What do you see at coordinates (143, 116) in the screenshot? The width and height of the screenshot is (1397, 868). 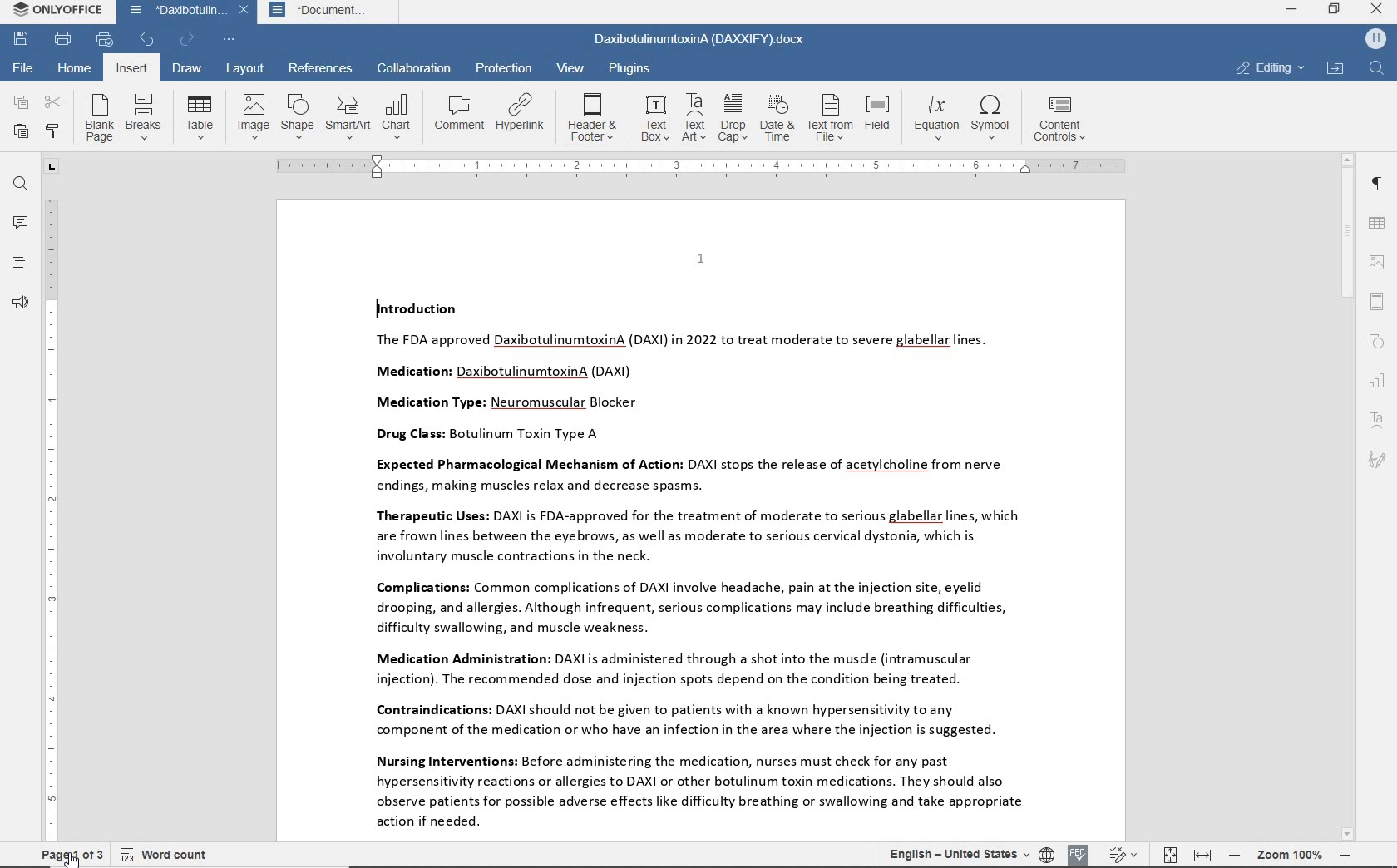 I see `breaks` at bounding box center [143, 116].